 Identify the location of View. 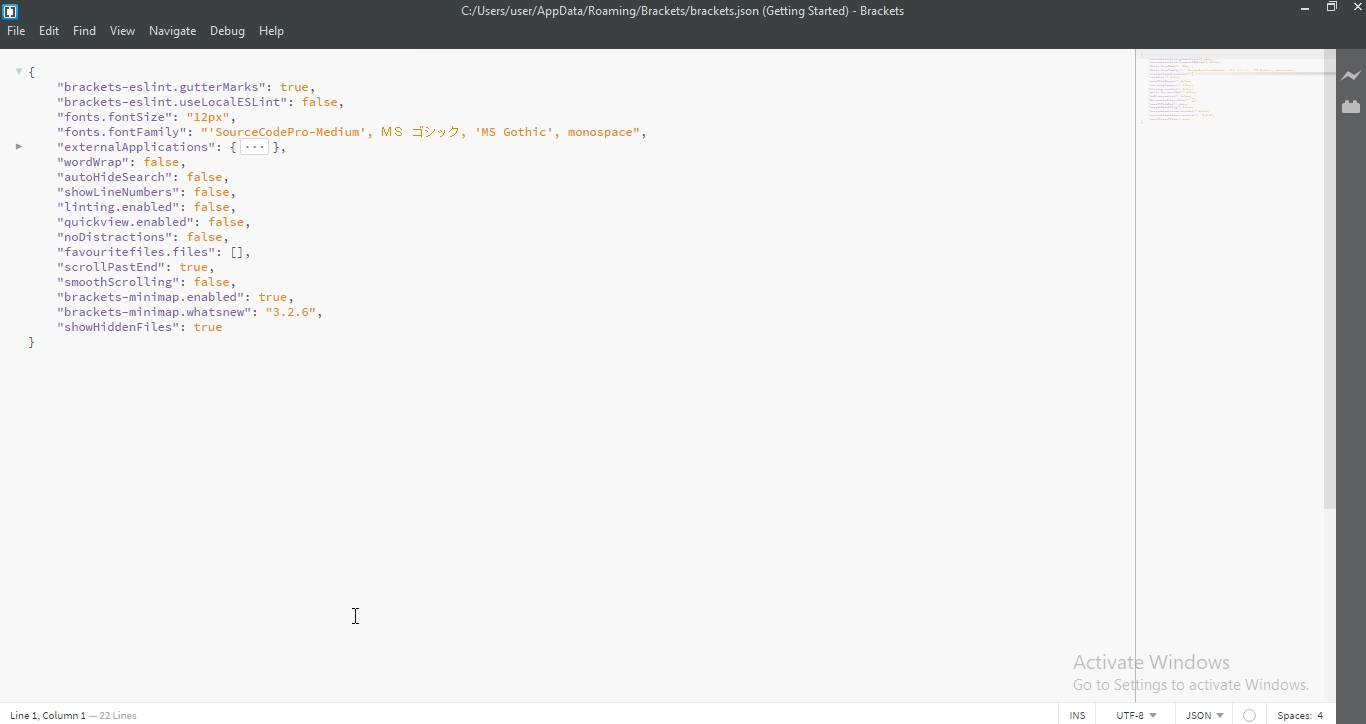
(124, 30).